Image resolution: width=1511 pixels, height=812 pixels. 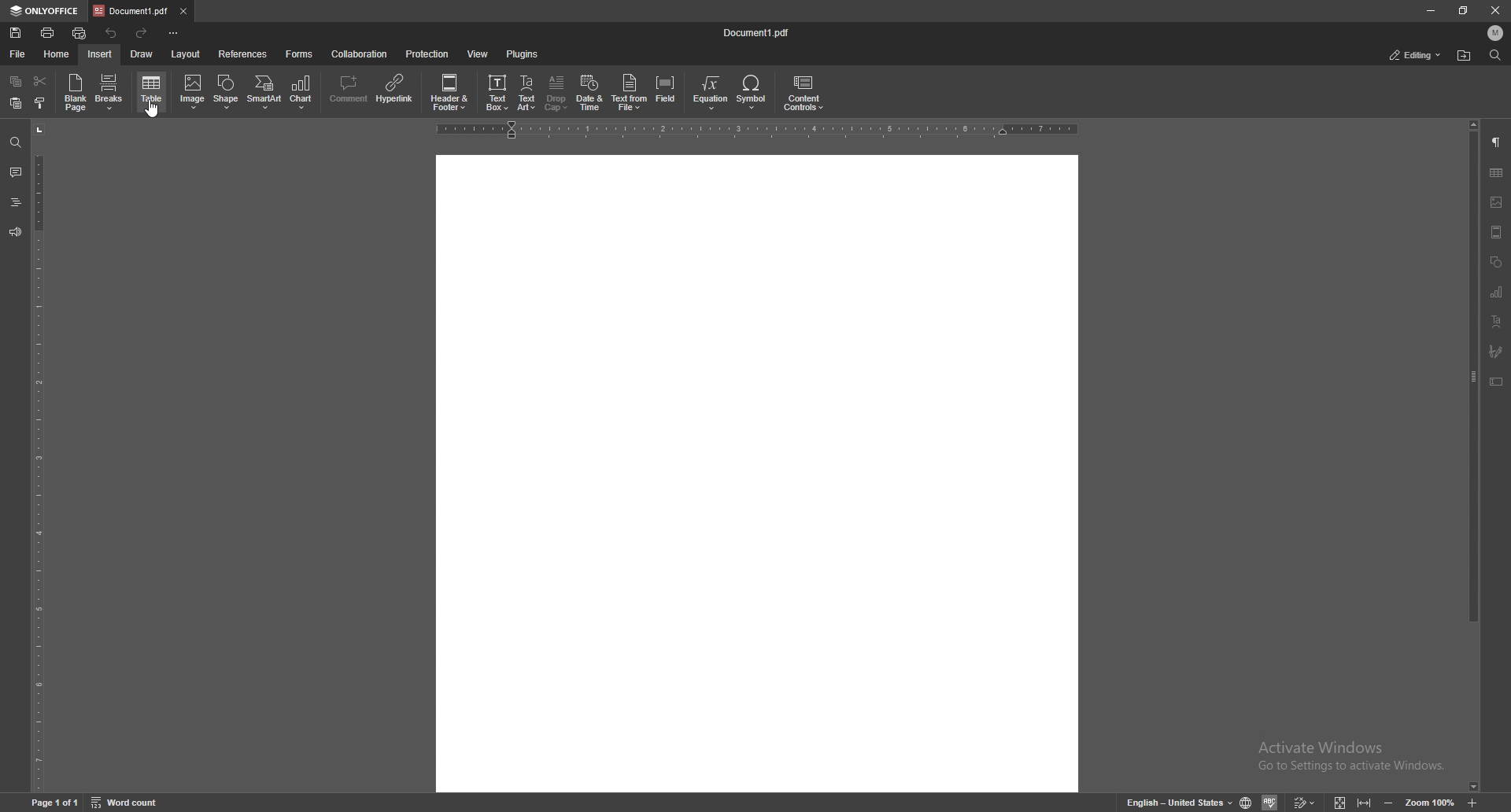 I want to click on content controls, so click(x=805, y=94).